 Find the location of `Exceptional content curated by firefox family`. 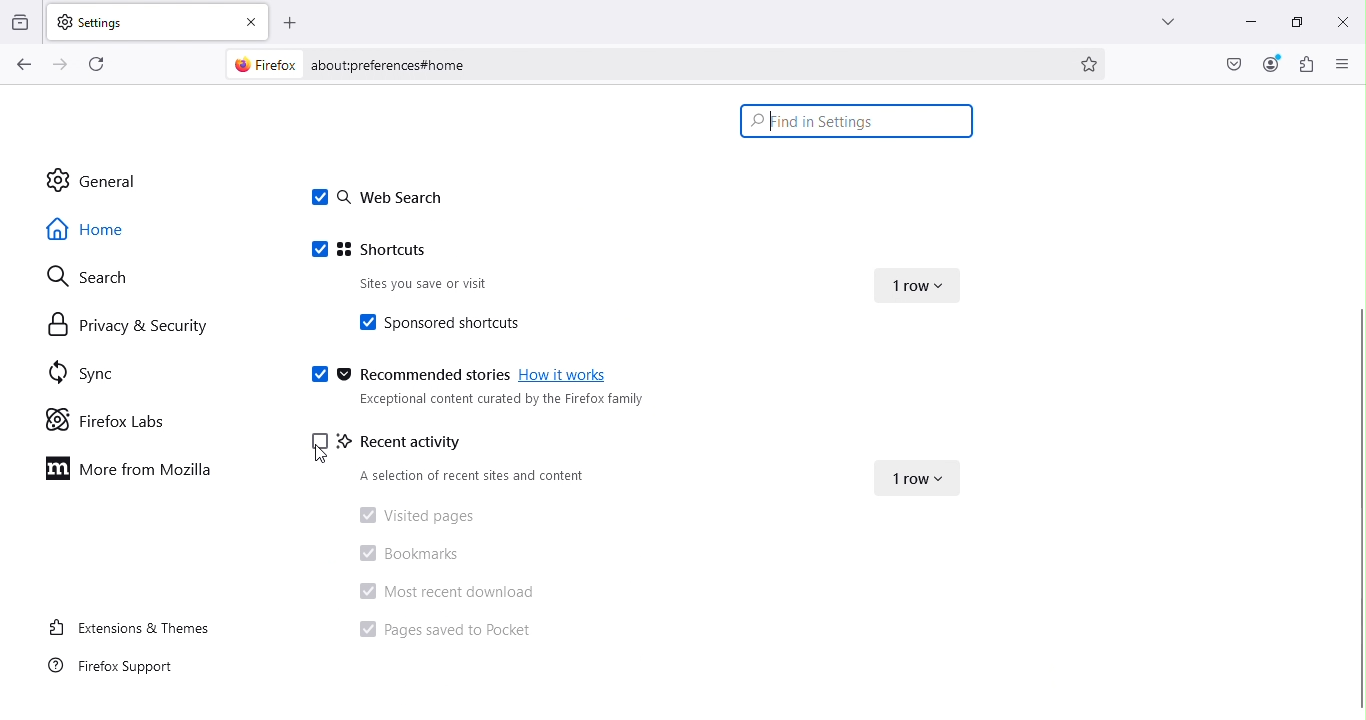

Exceptional content curated by firefox family is located at coordinates (496, 403).